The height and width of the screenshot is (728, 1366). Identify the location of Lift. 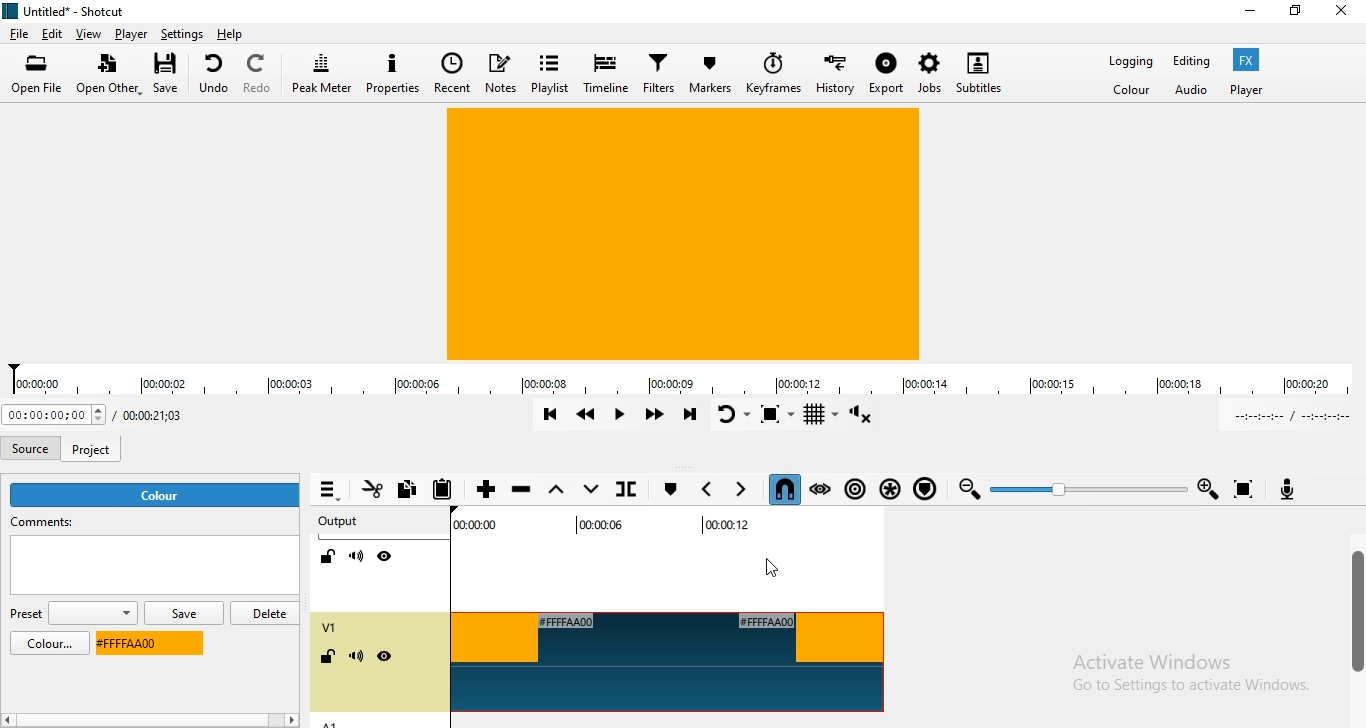
(558, 492).